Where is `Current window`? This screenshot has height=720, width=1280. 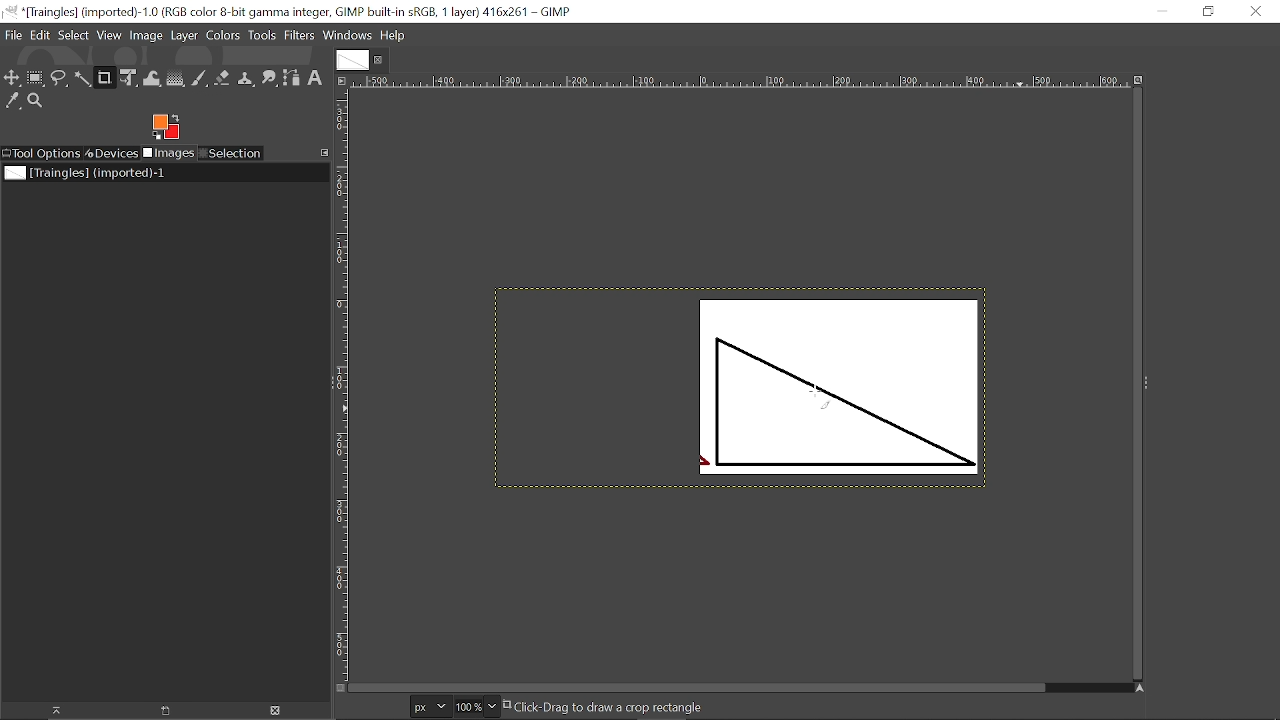
Current window is located at coordinates (290, 11).